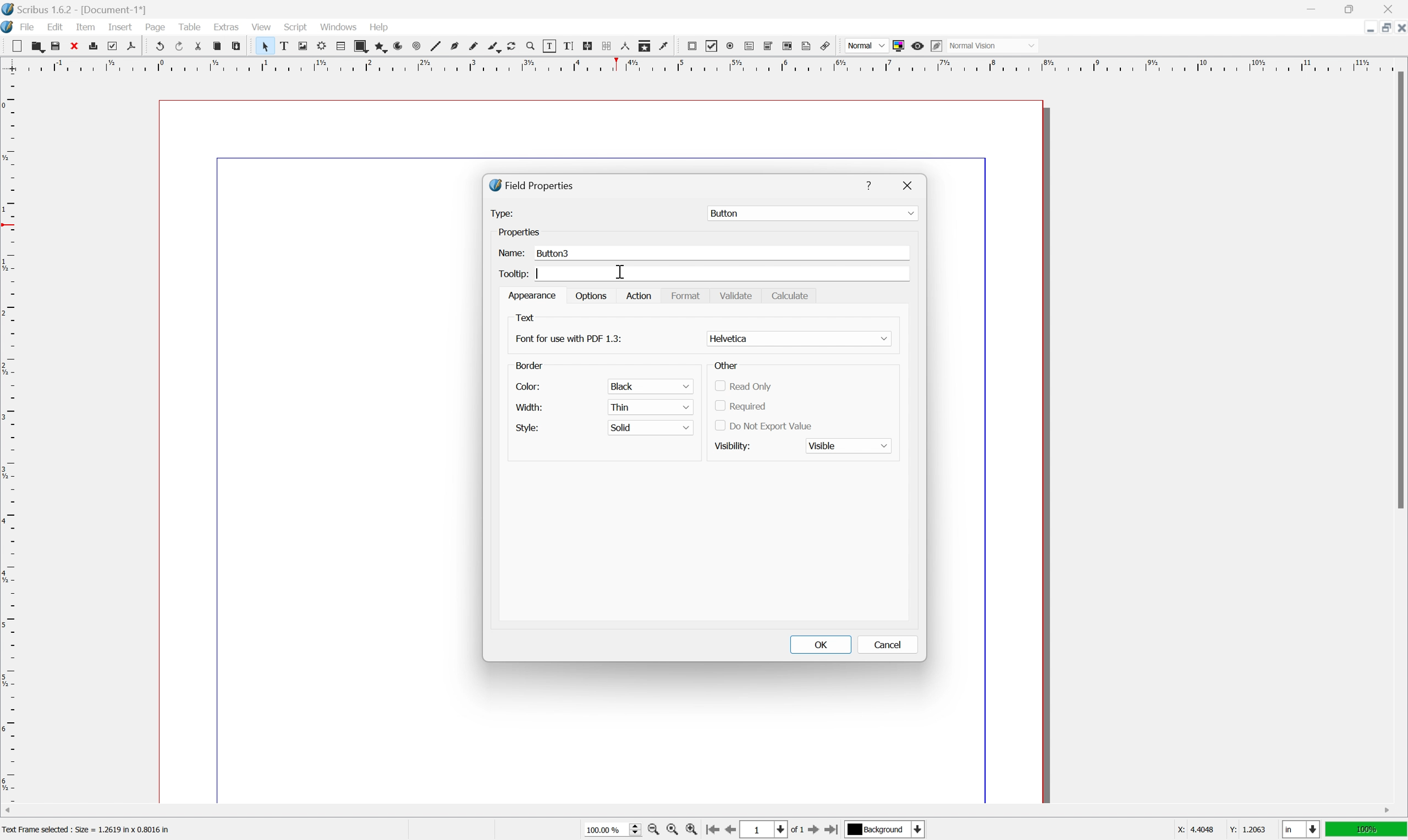 This screenshot has height=840, width=1408. What do you see at coordinates (606, 46) in the screenshot?
I see `unlink text frames` at bounding box center [606, 46].